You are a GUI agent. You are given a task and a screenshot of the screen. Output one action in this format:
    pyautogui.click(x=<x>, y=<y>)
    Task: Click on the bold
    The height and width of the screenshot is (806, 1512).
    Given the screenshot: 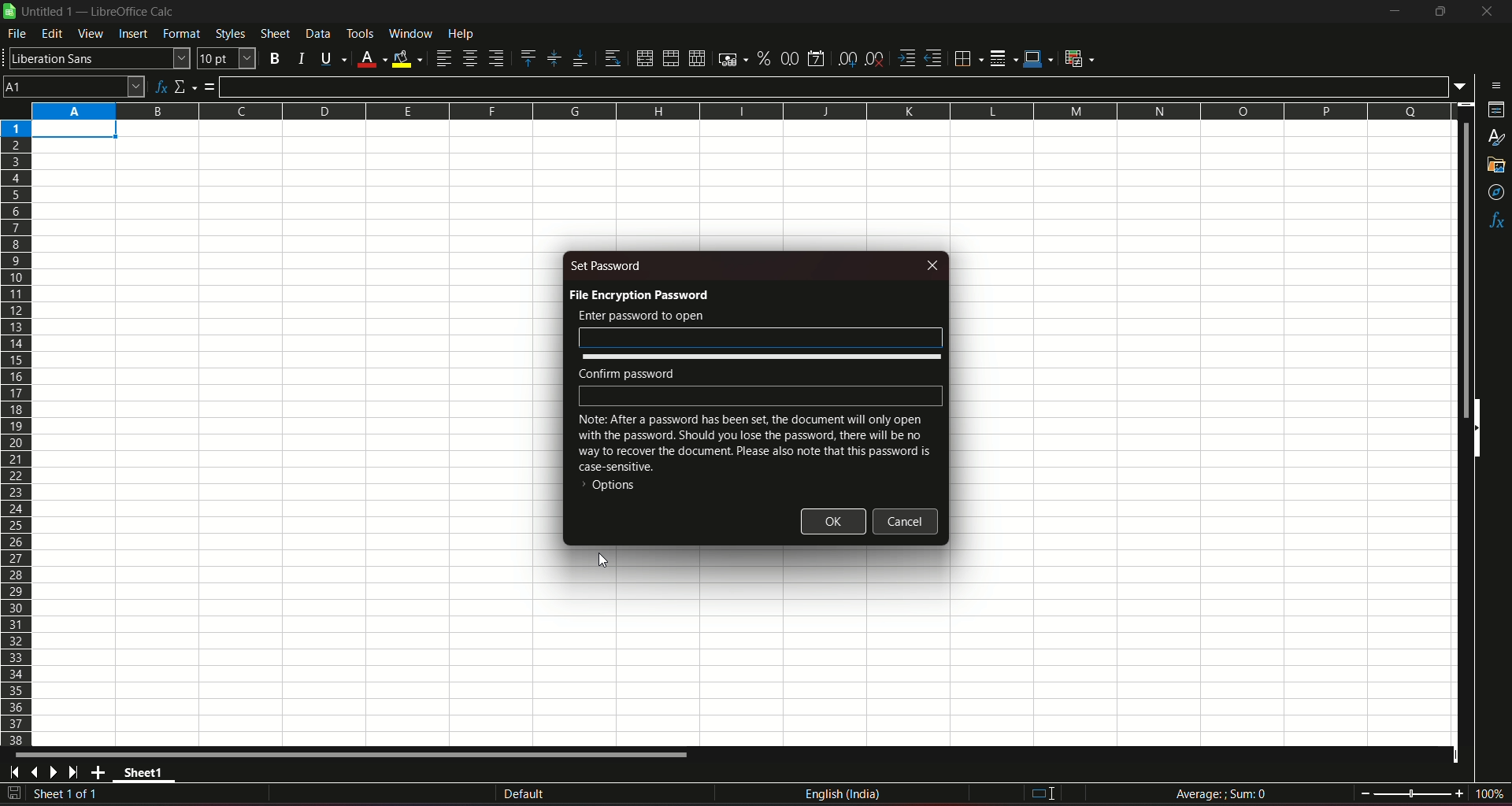 What is the action you would take?
    pyautogui.click(x=275, y=57)
    